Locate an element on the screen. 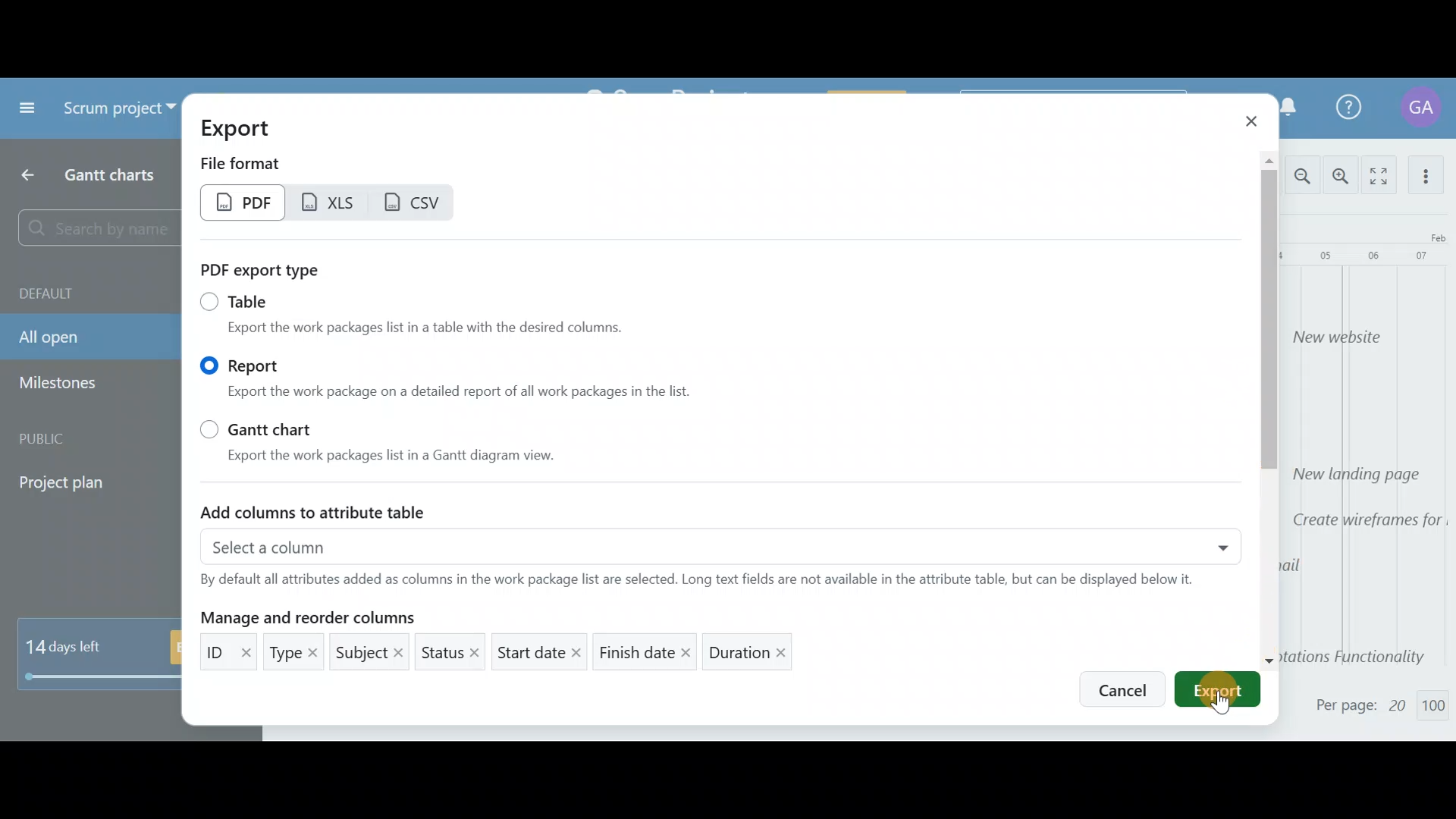  Table is located at coordinates (247, 302).